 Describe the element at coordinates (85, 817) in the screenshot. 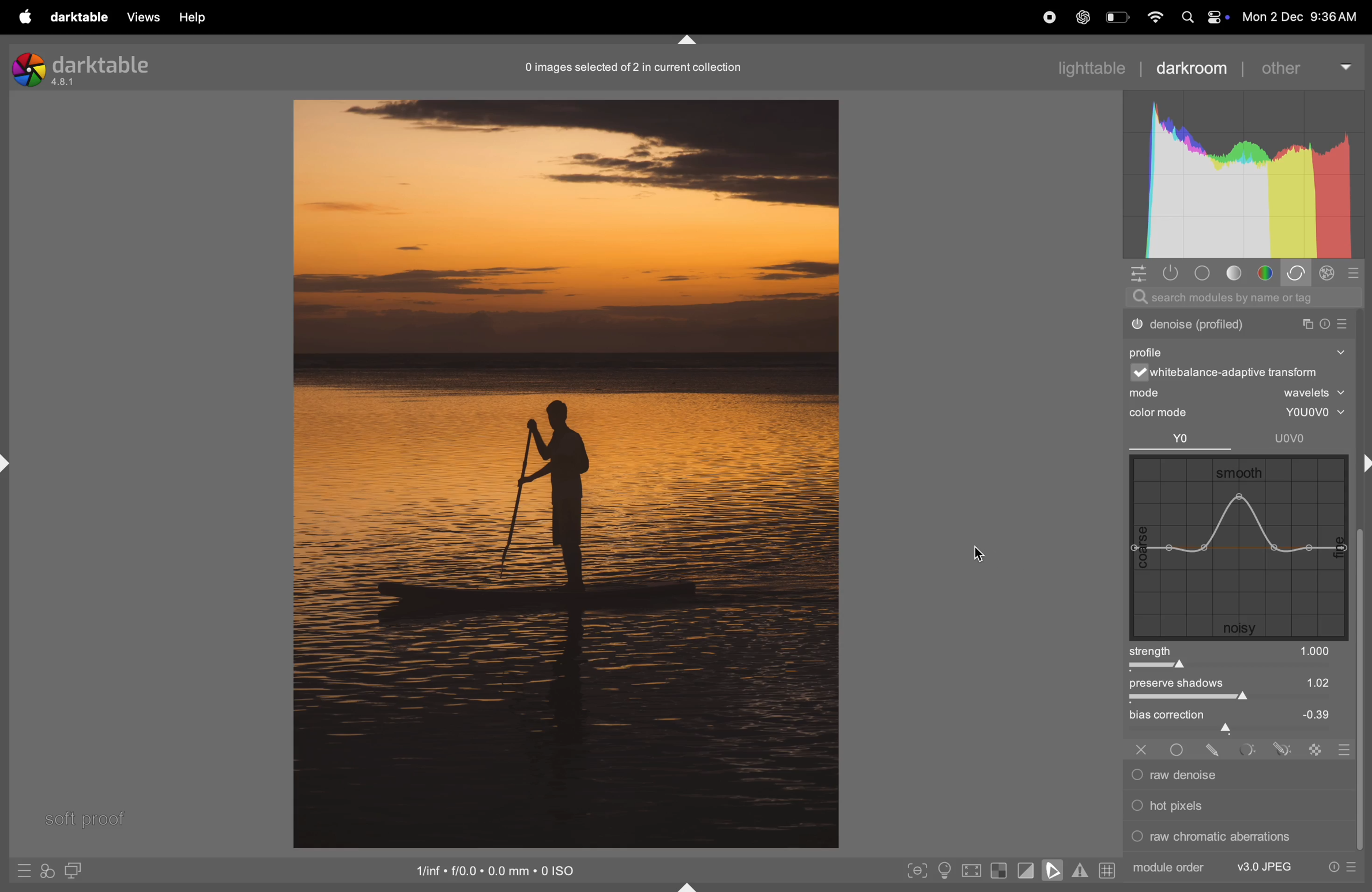

I see `soft proffing` at that location.